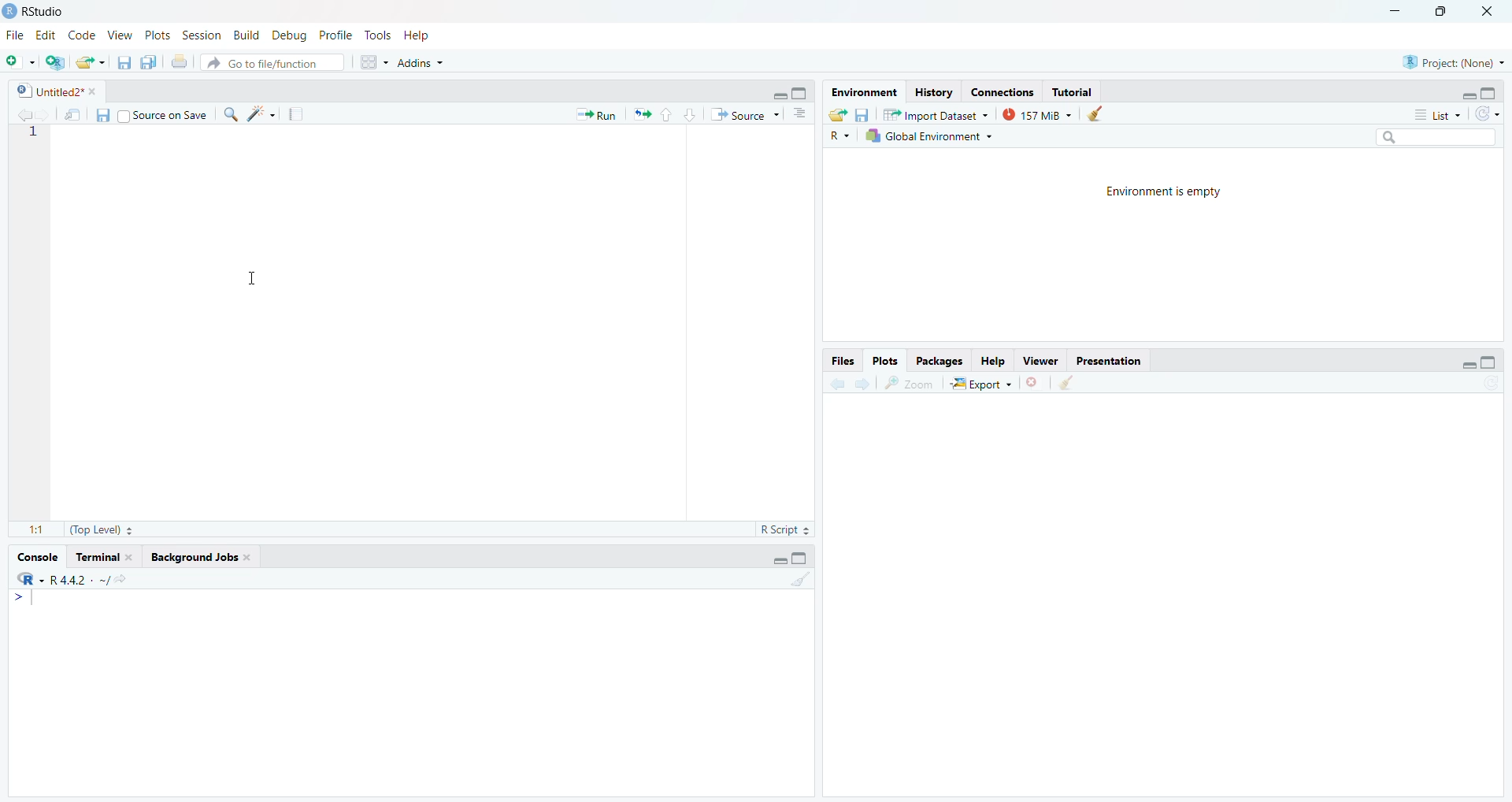  Describe the element at coordinates (1490, 92) in the screenshot. I see `maximize` at that location.